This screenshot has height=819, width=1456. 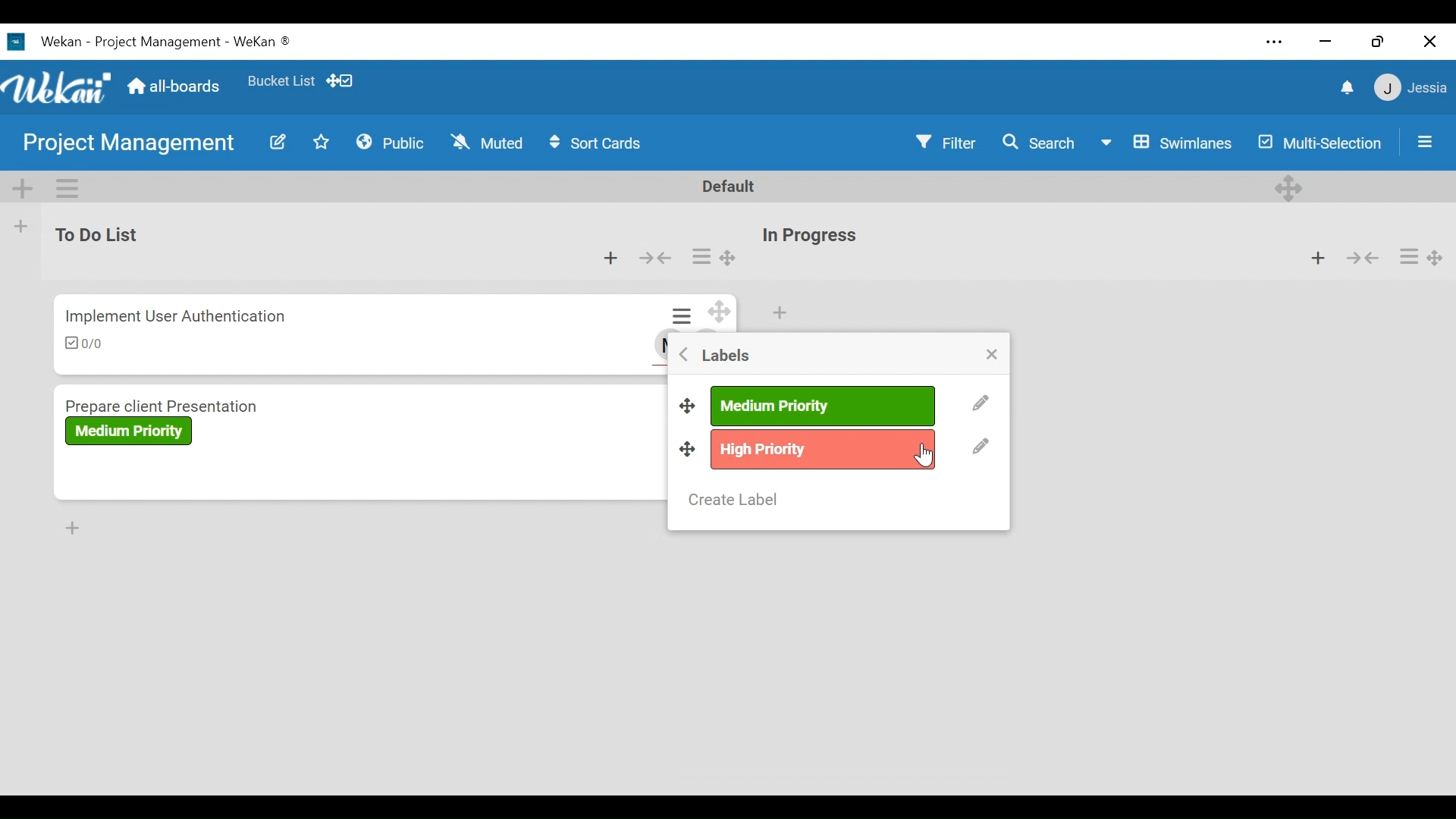 I want to click on close, so click(x=993, y=356).